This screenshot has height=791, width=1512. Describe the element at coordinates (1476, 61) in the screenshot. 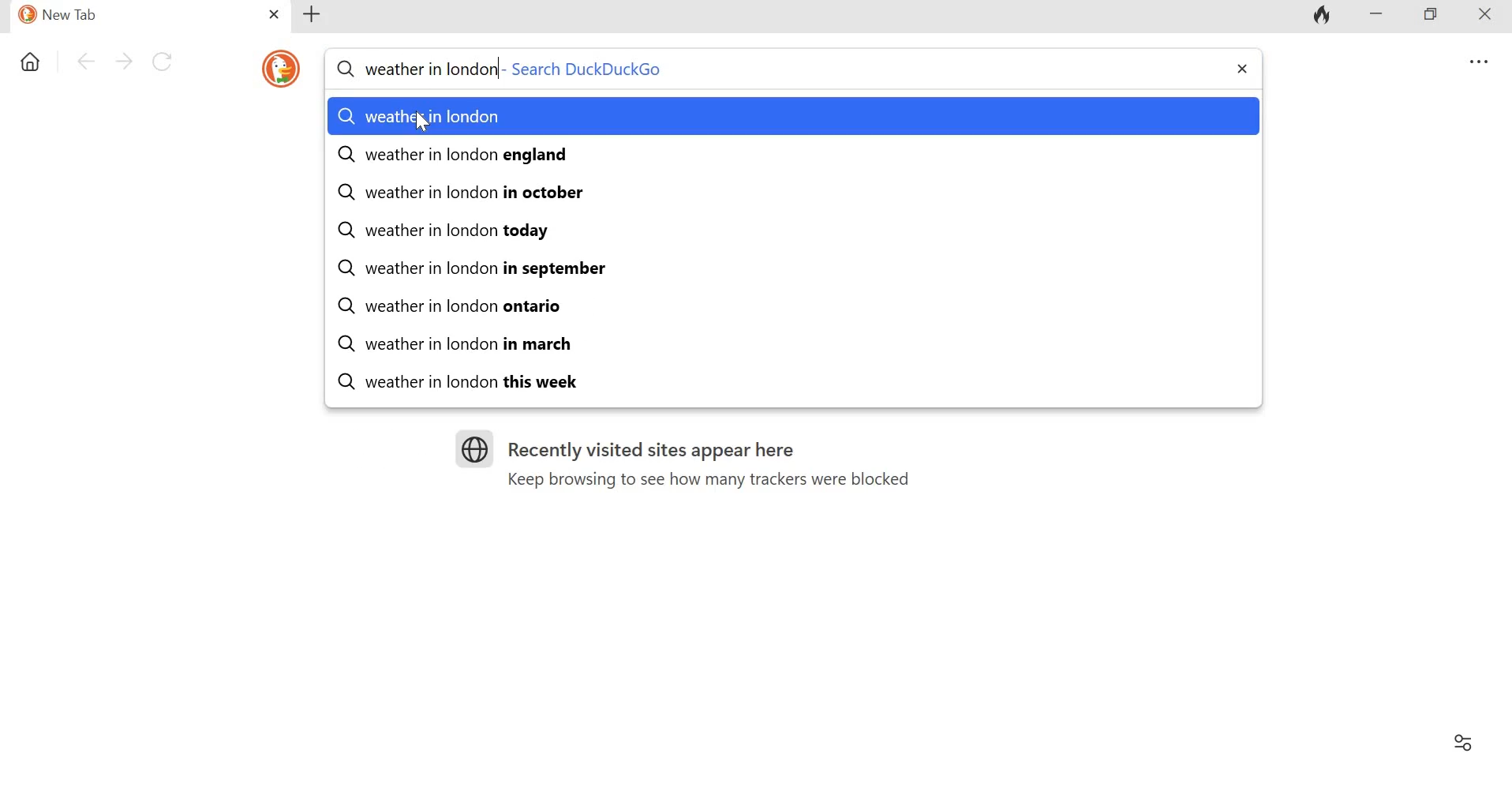

I see `Overflow menu` at that location.